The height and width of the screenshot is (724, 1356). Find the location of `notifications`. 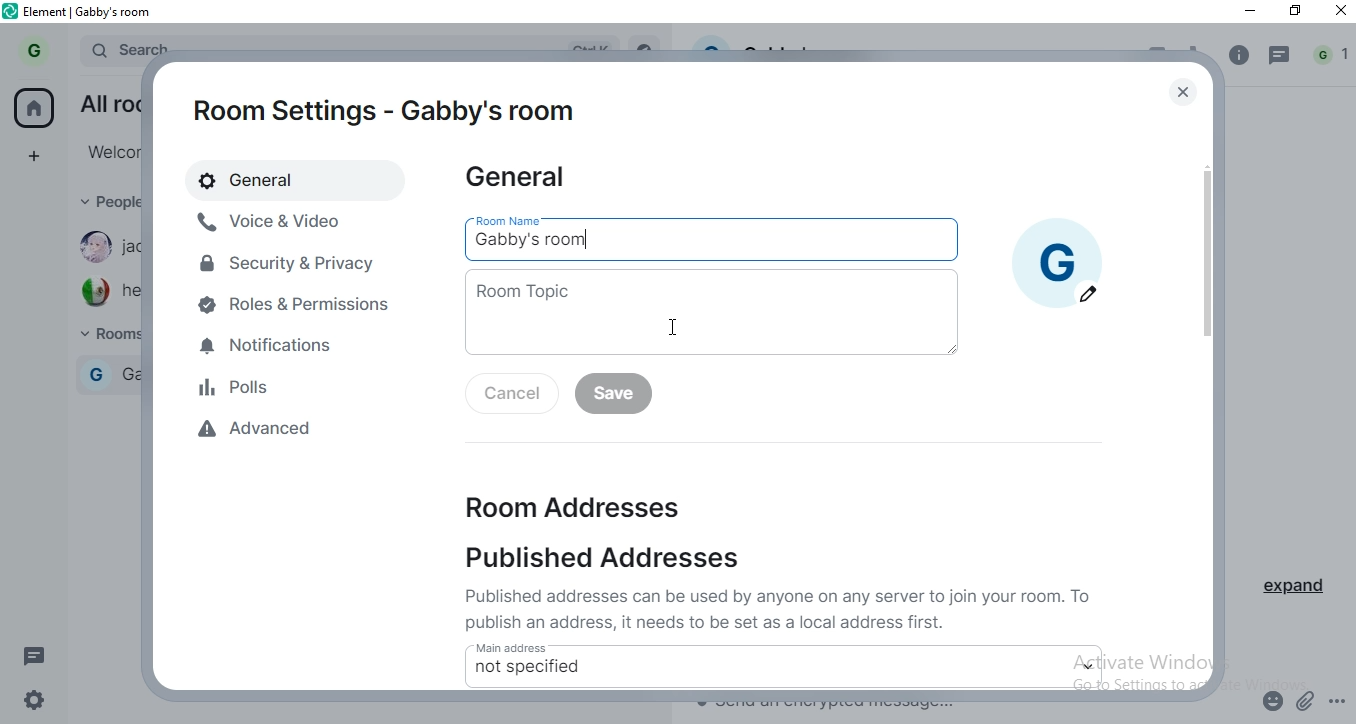

notifications is located at coordinates (299, 348).